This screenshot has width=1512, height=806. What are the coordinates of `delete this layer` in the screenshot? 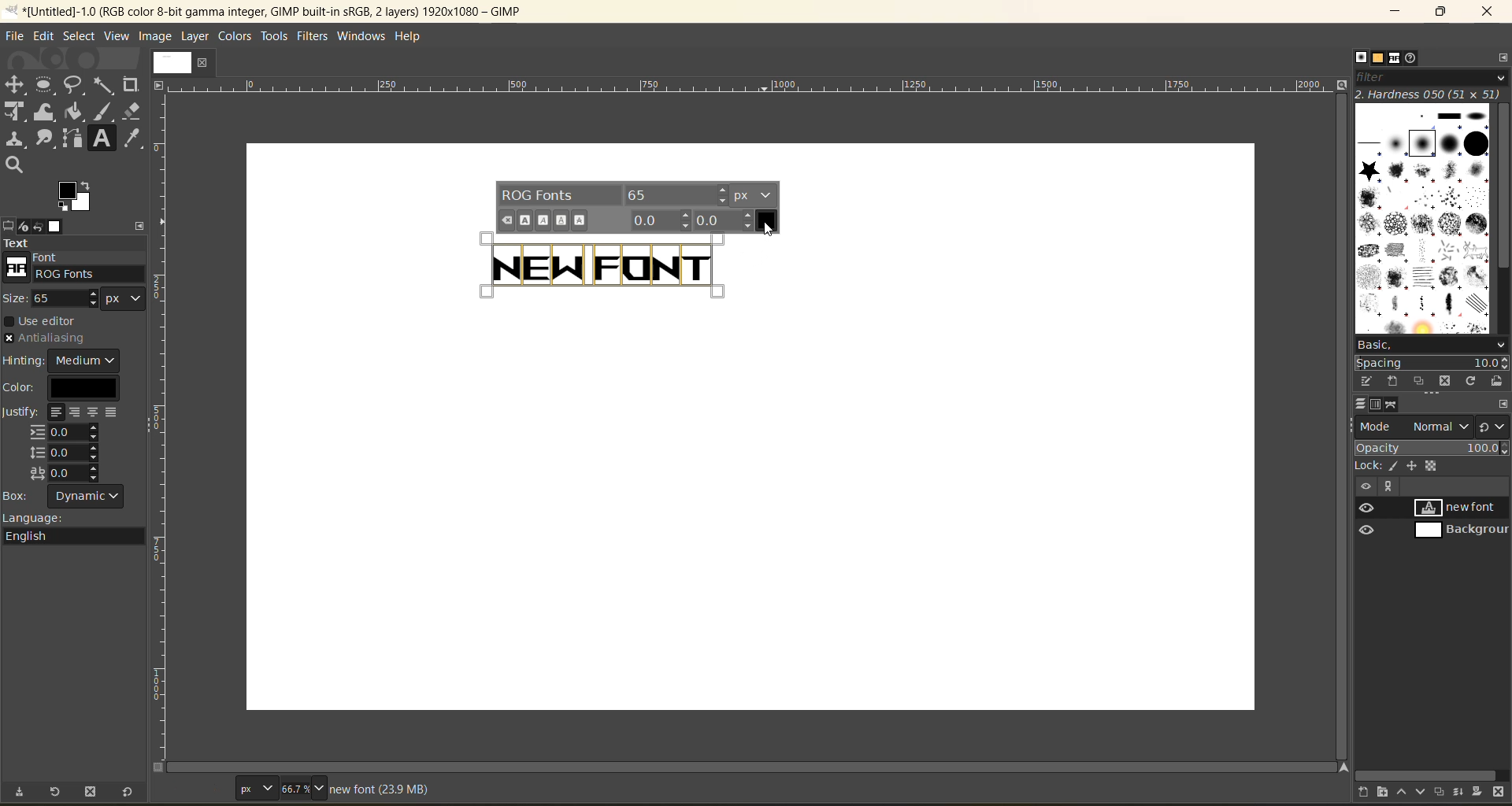 It's located at (1499, 793).